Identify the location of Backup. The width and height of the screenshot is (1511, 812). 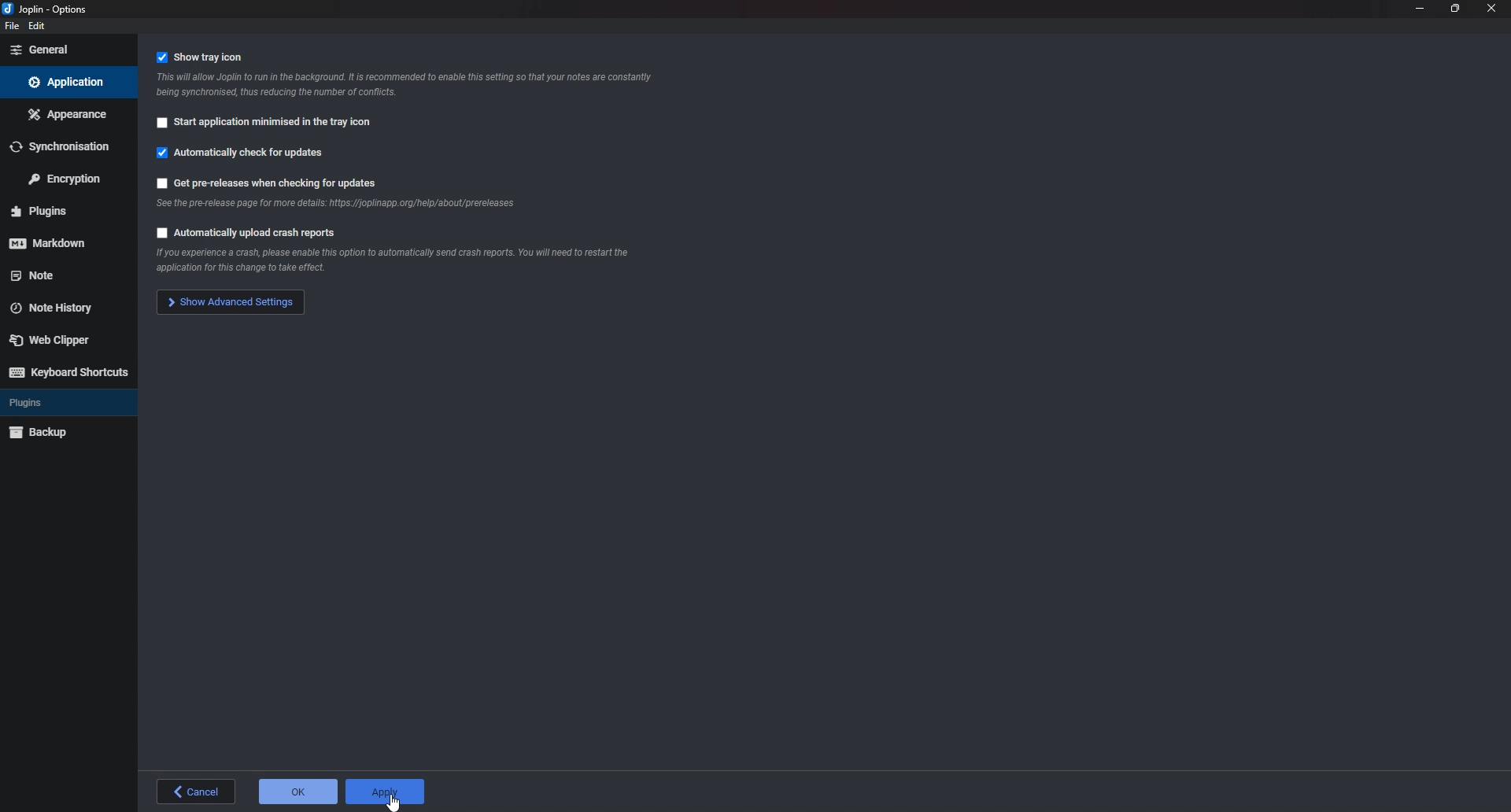
(53, 434).